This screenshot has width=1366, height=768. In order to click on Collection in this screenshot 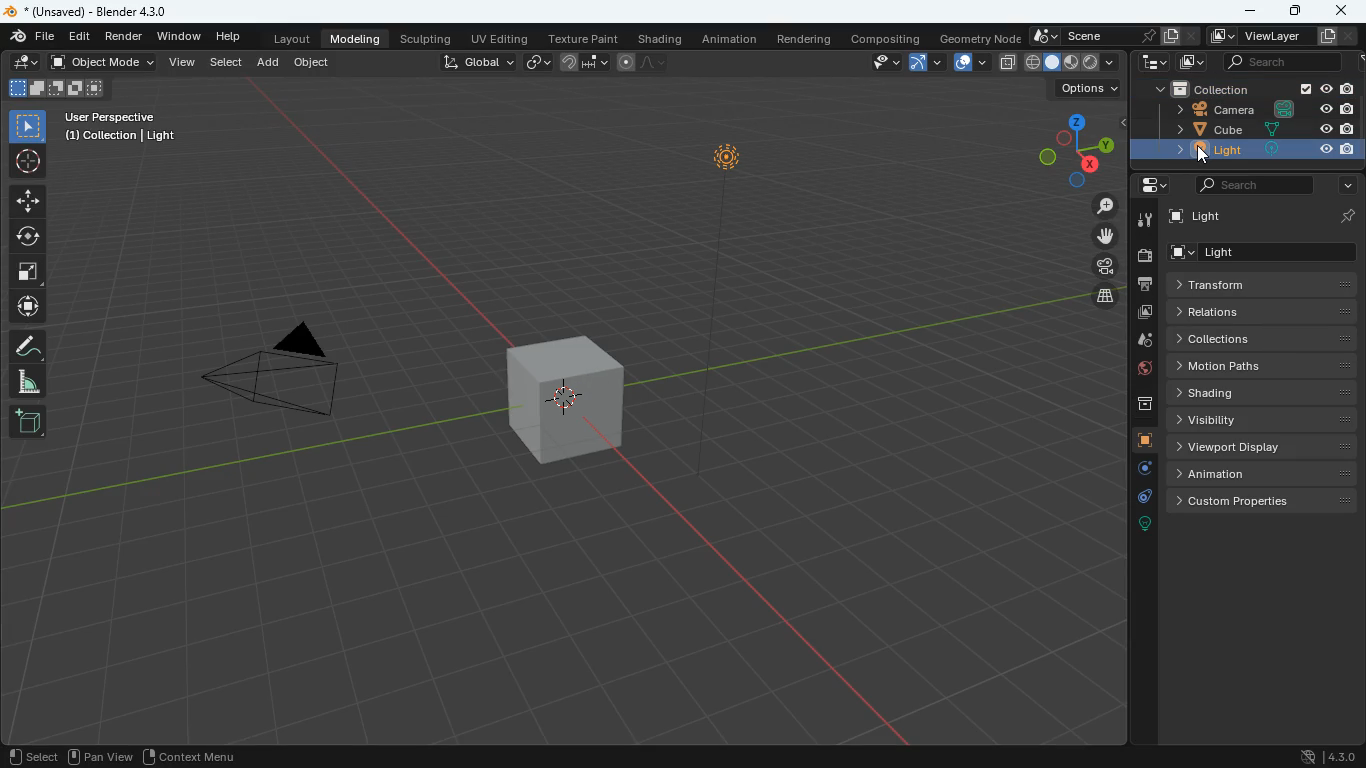, I will do `click(1256, 89)`.